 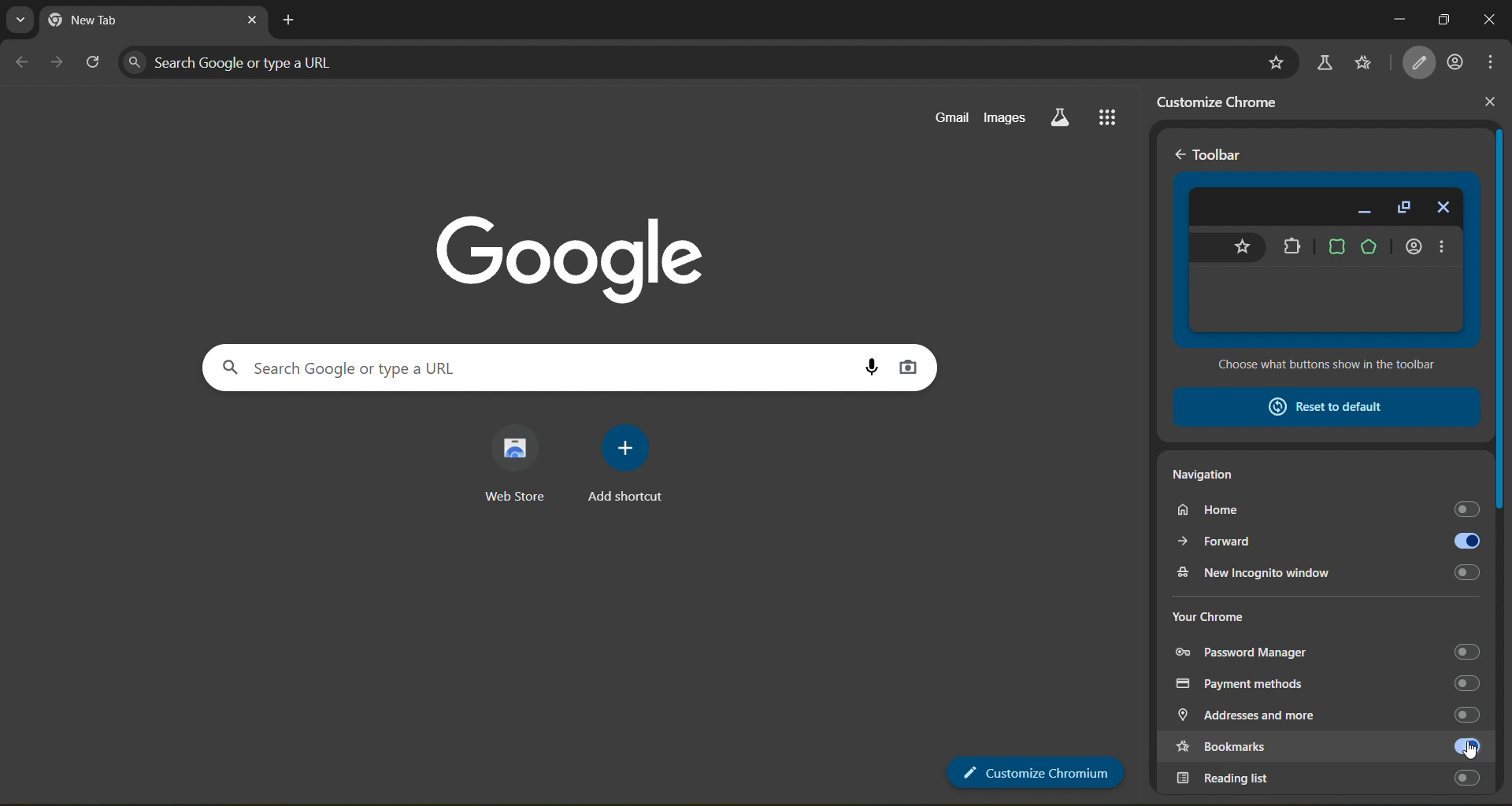 I want to click on menu, so click(x=1492, y=61).